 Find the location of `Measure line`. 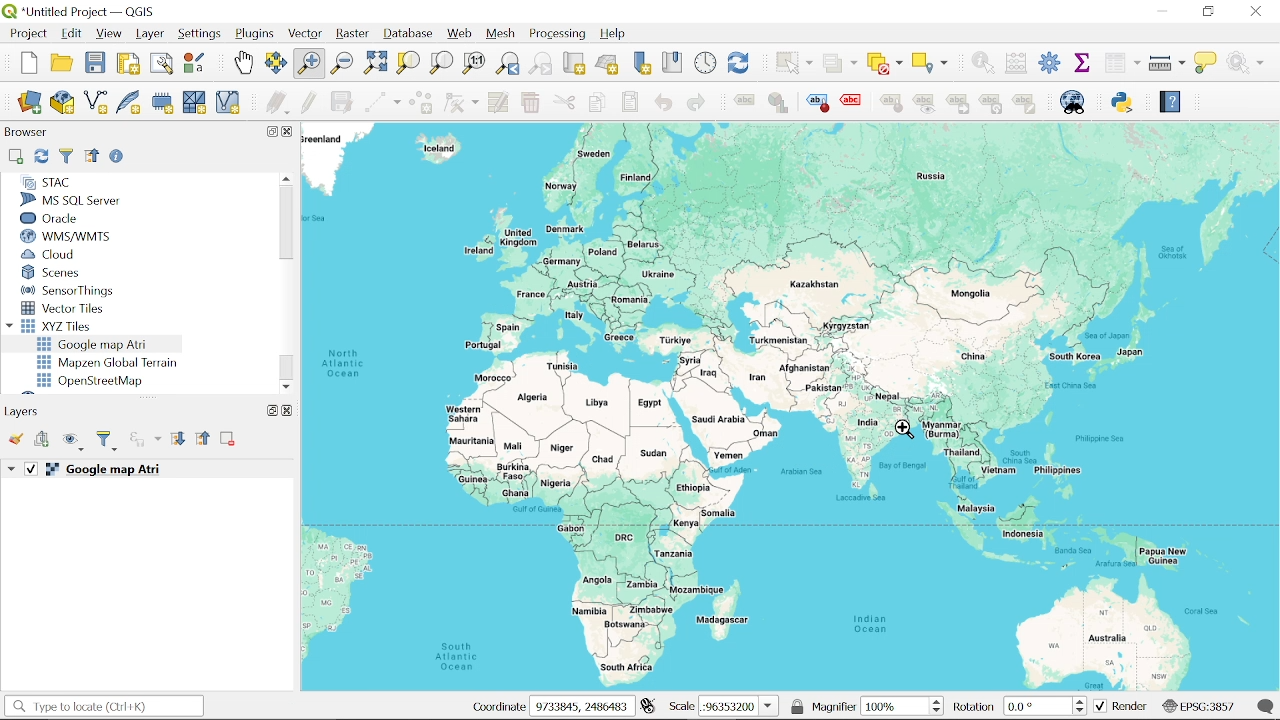

Measure line is located at coordinates (1168, 64).